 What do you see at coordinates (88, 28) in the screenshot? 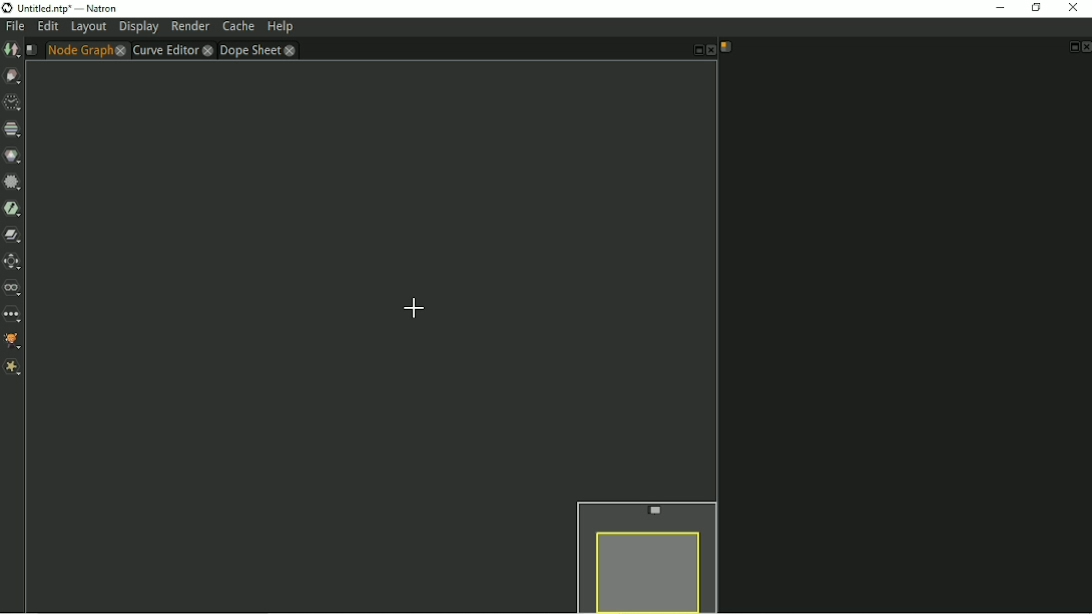
I see `Layout` at bounding box center [88, 28].